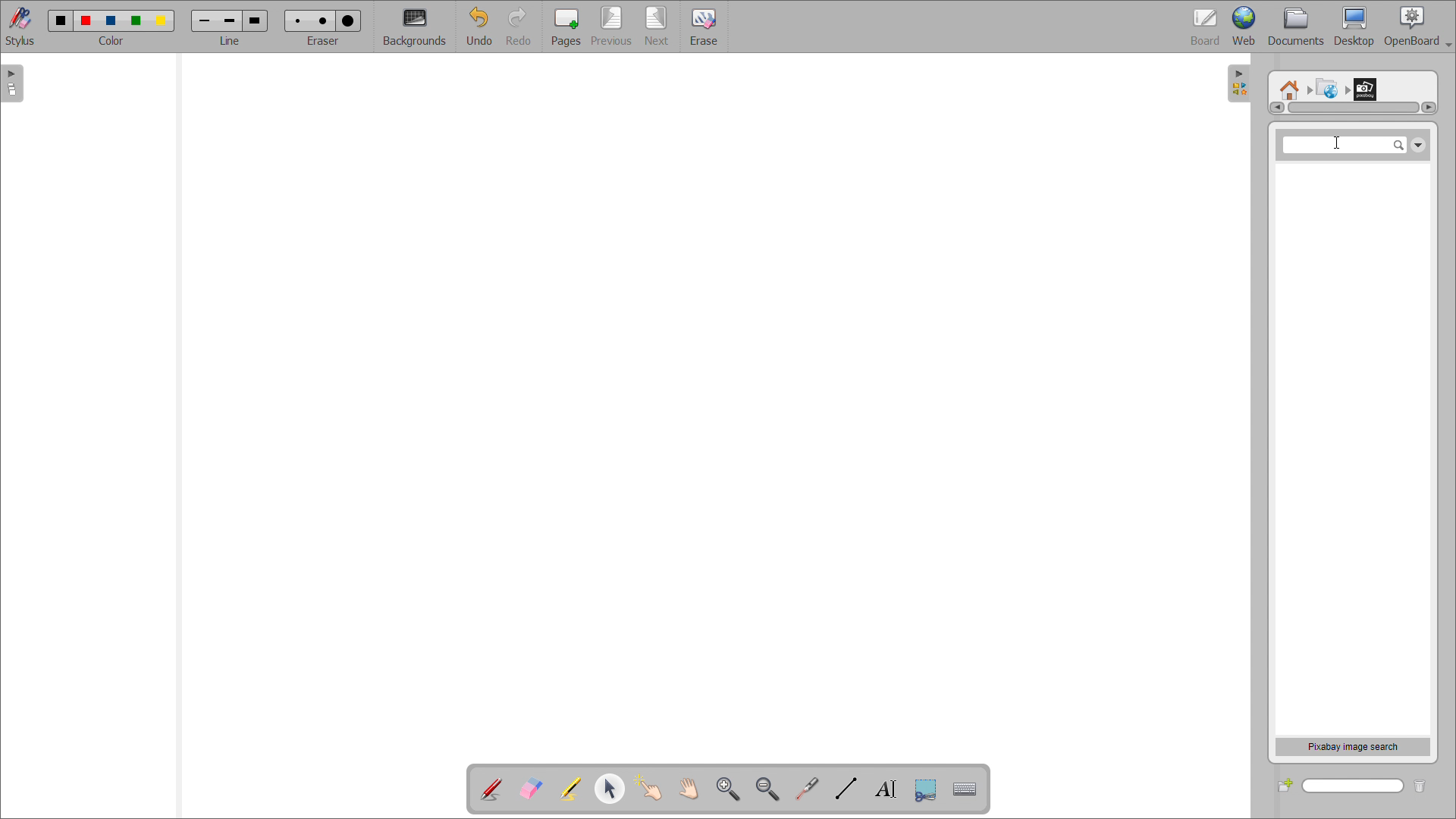 This screenshot has height=819, width=1456. Describe the element at coordinates (521, 27) in the screenshot. I see `redo` at that location.